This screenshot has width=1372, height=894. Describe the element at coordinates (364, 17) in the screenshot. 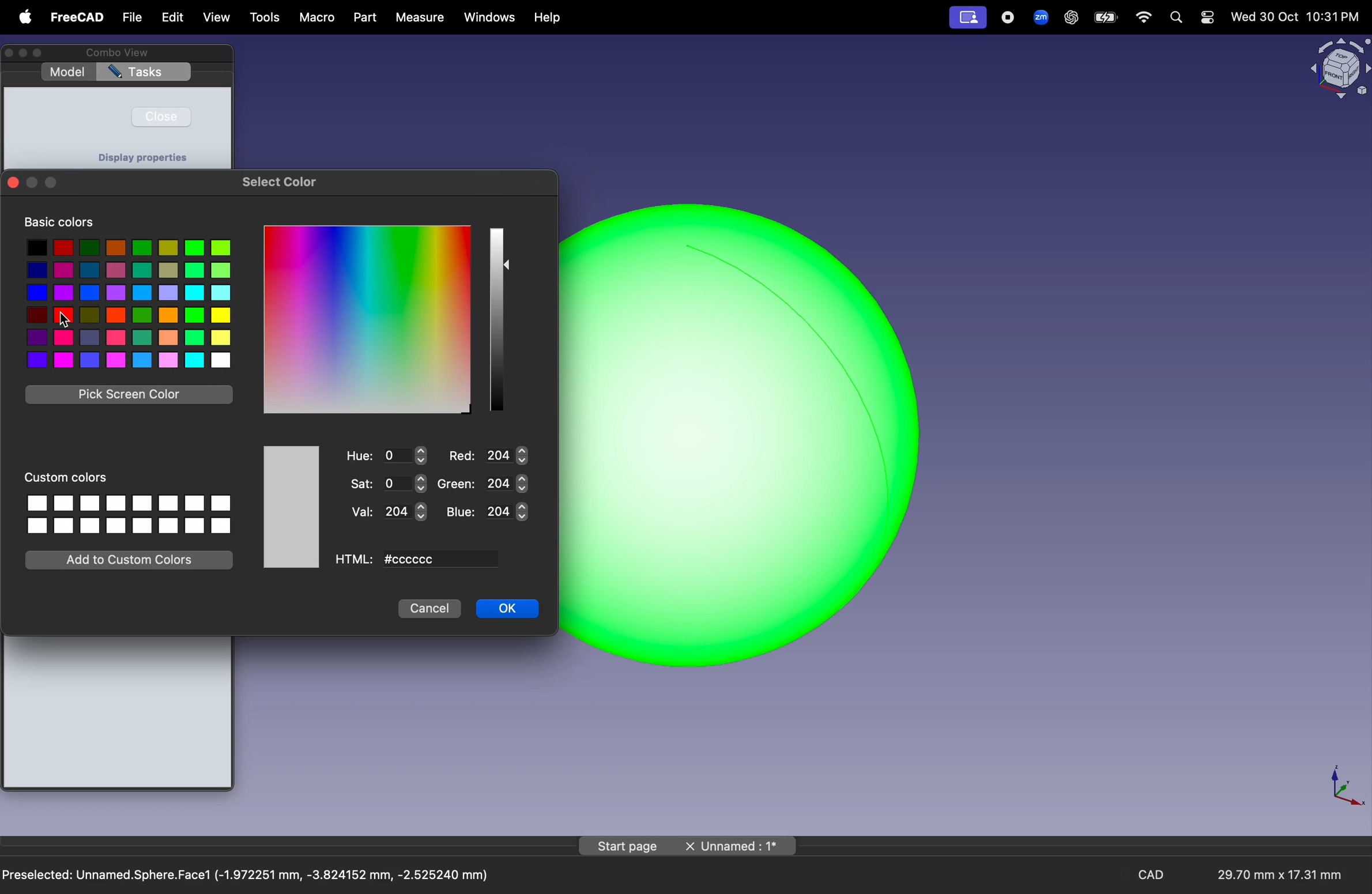

I see `part` at that location.